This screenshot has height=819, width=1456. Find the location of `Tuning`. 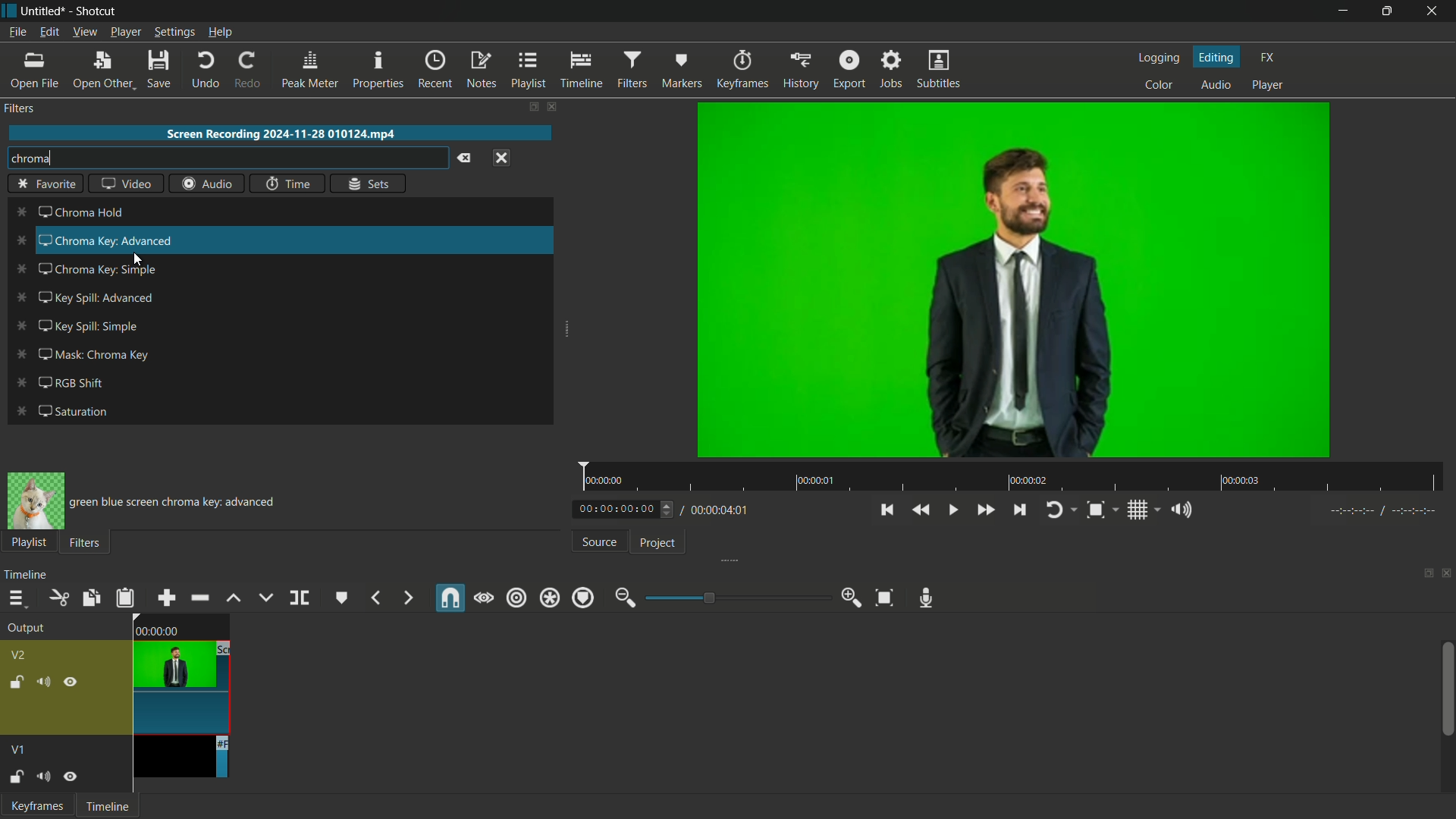

Tuning is located at coordinates (1384, 511).